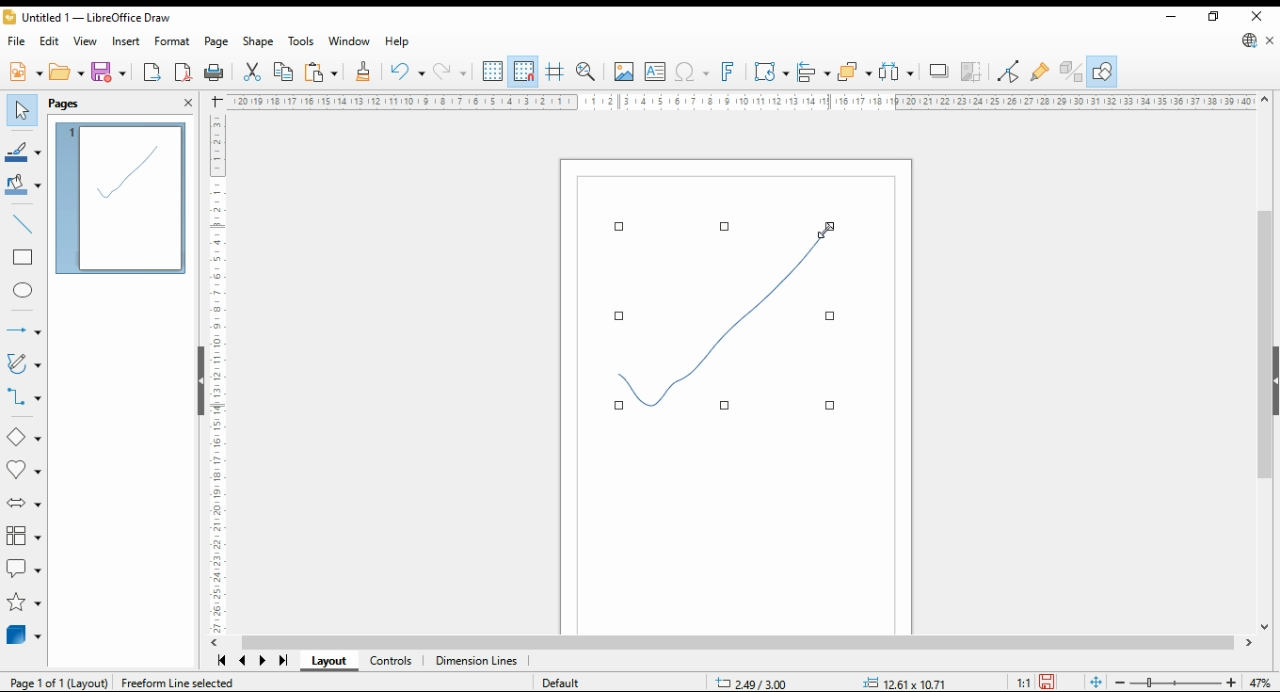  What do you see at coordinates (23, 503) in the screenshot?
I see `block arrows` at bounding box center [23, 503].